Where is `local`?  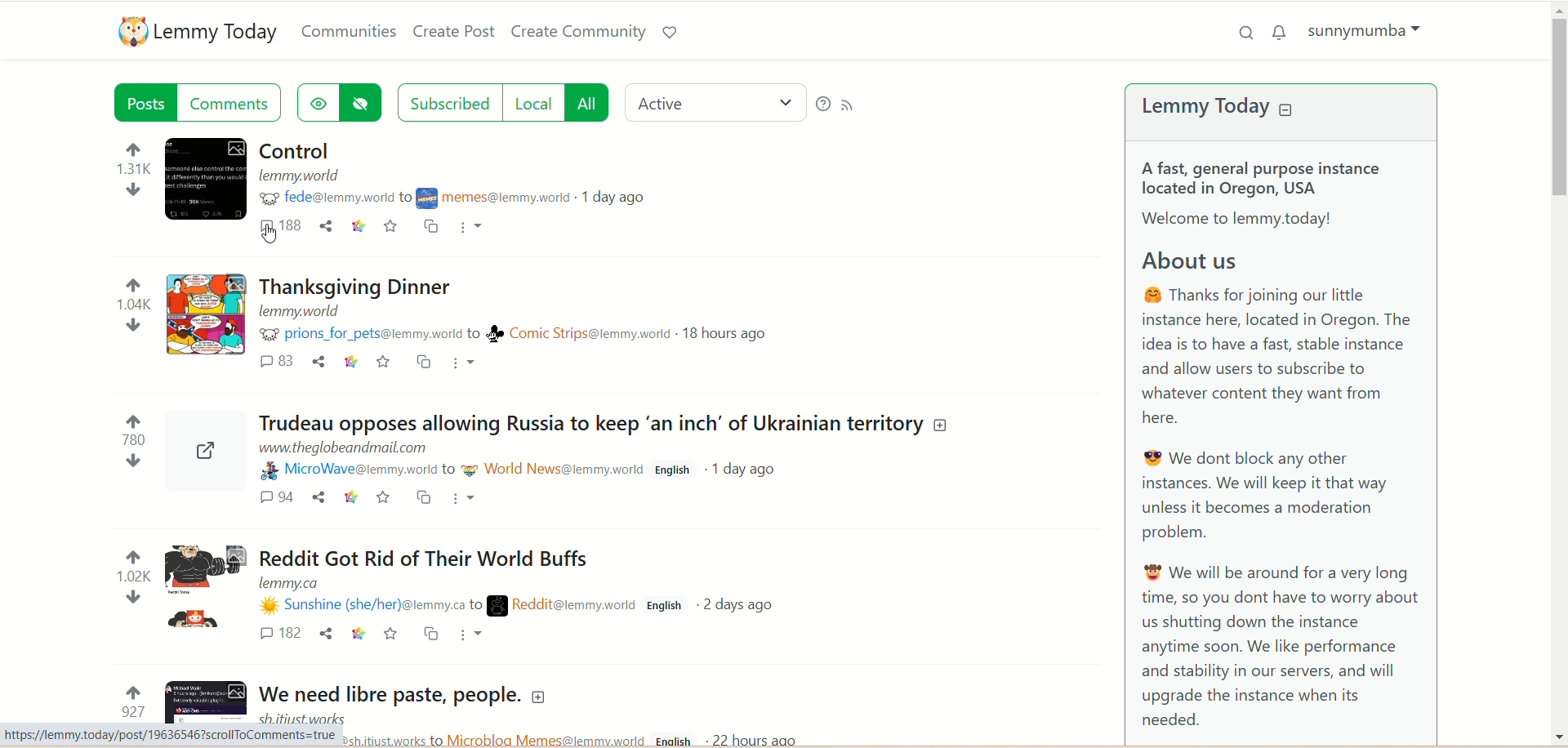
local is located at coordinates (535, 101).